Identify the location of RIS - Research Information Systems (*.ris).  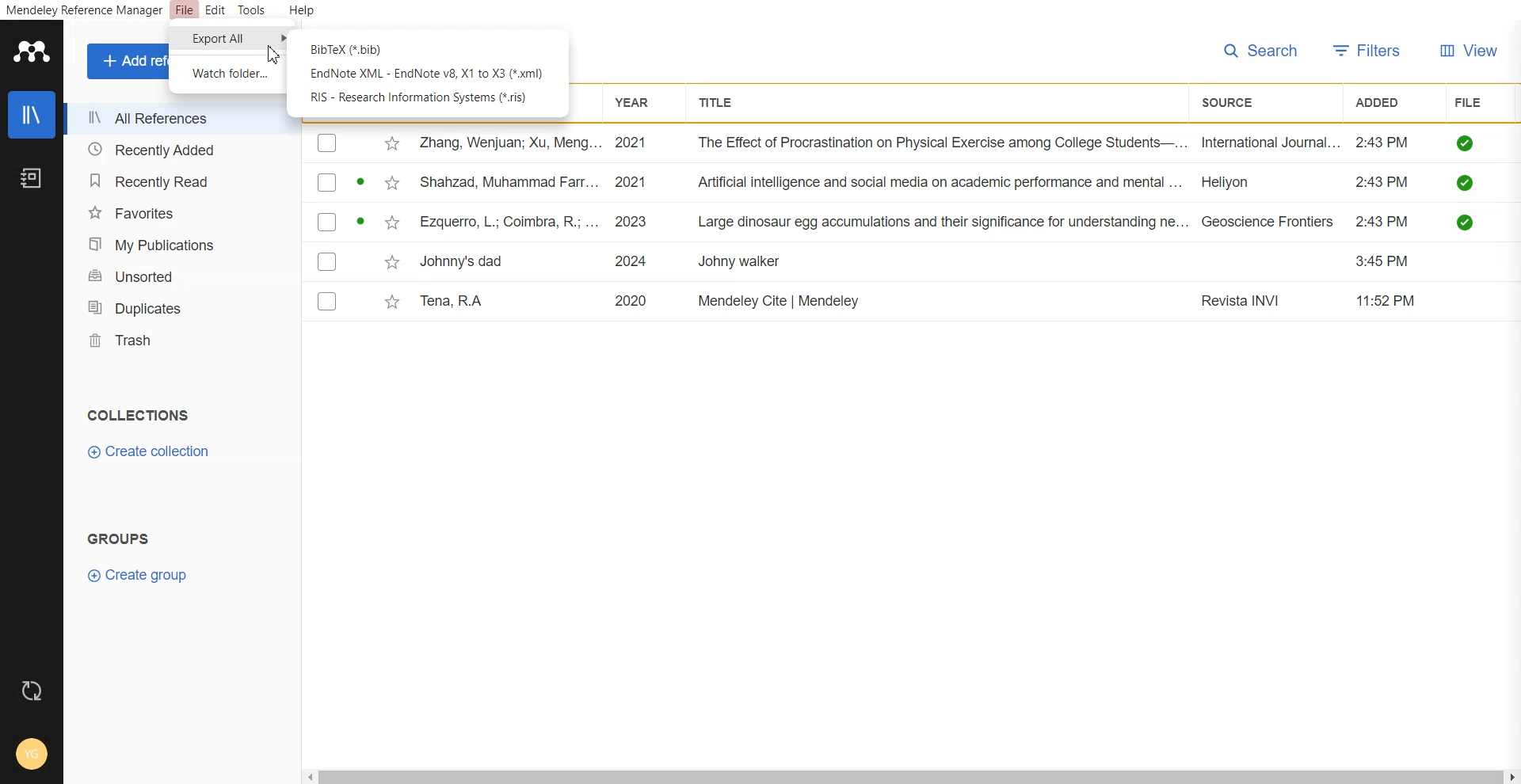
(421, 98).